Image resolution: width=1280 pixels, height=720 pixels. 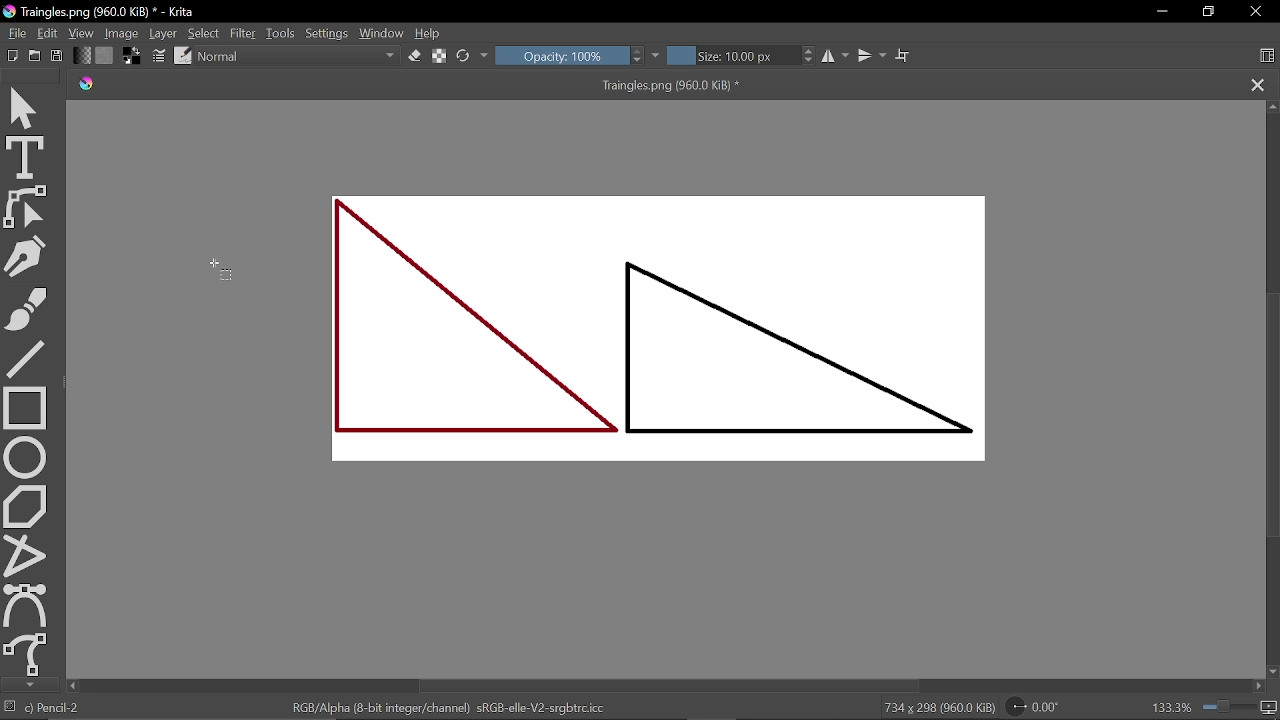 I want to click on Polygon tool, so click(x=28, y=505).